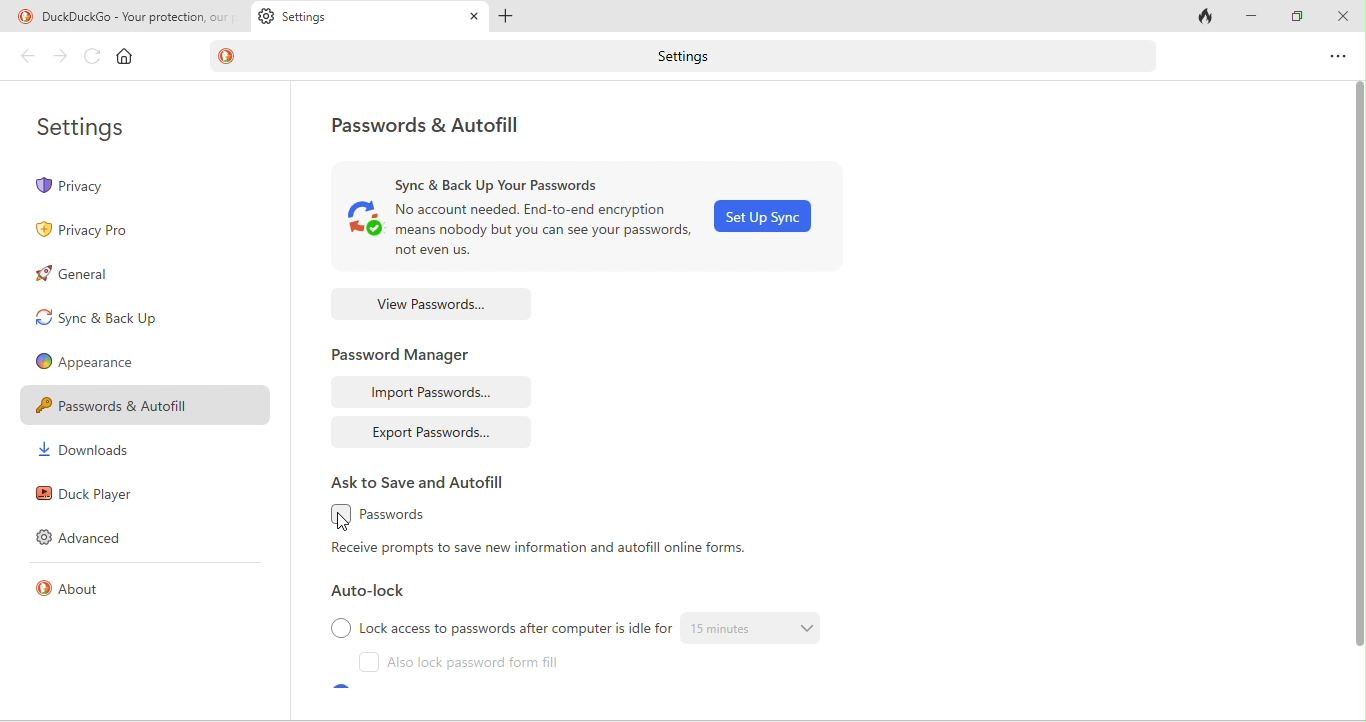 The width and height of the screenshot is (1366, 722). Describe the element at coordinates (139, 14) in the screenshot. I see `duckduckgo-your protection our priority` at that location.